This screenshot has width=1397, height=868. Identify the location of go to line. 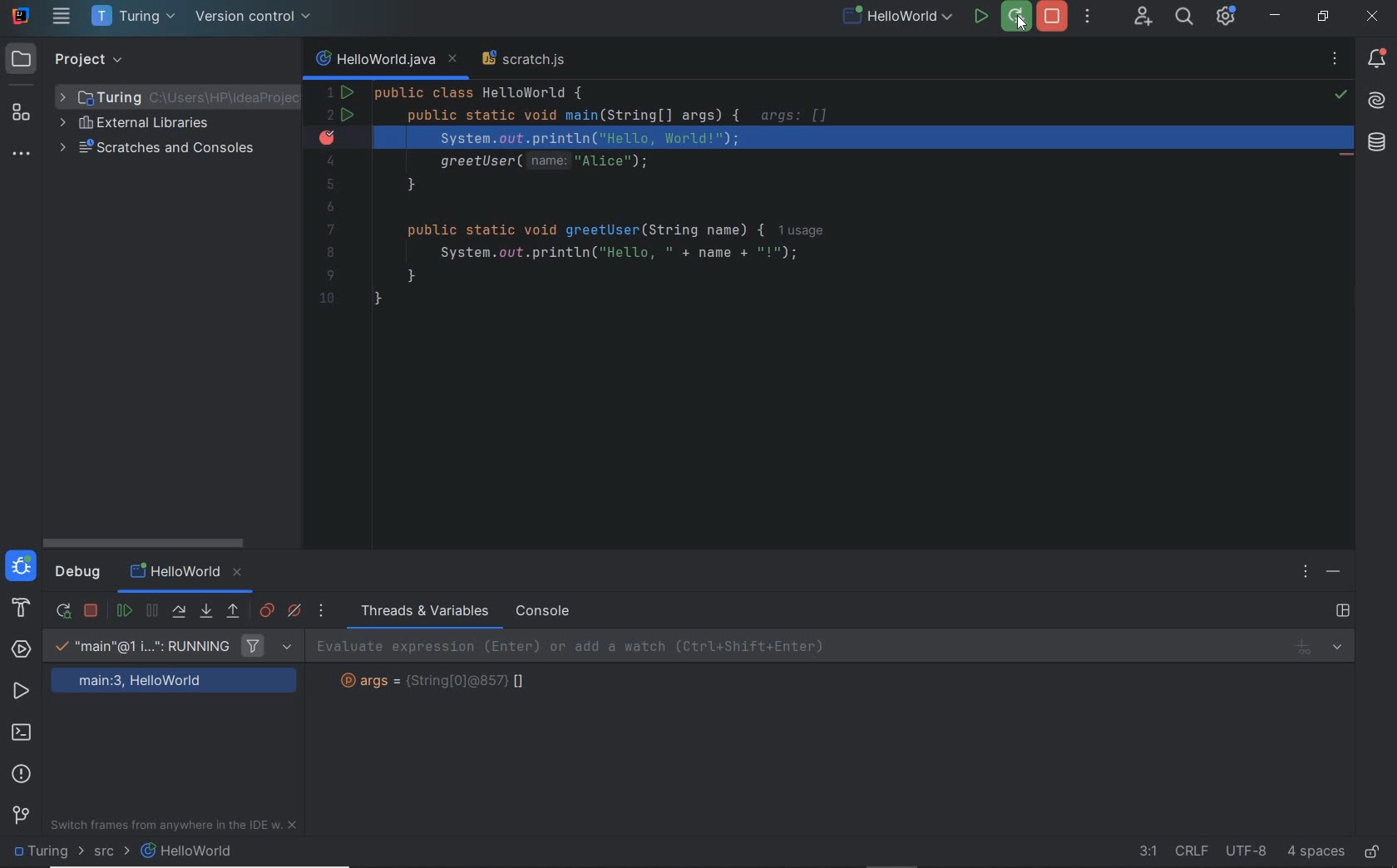
(1138, 851).